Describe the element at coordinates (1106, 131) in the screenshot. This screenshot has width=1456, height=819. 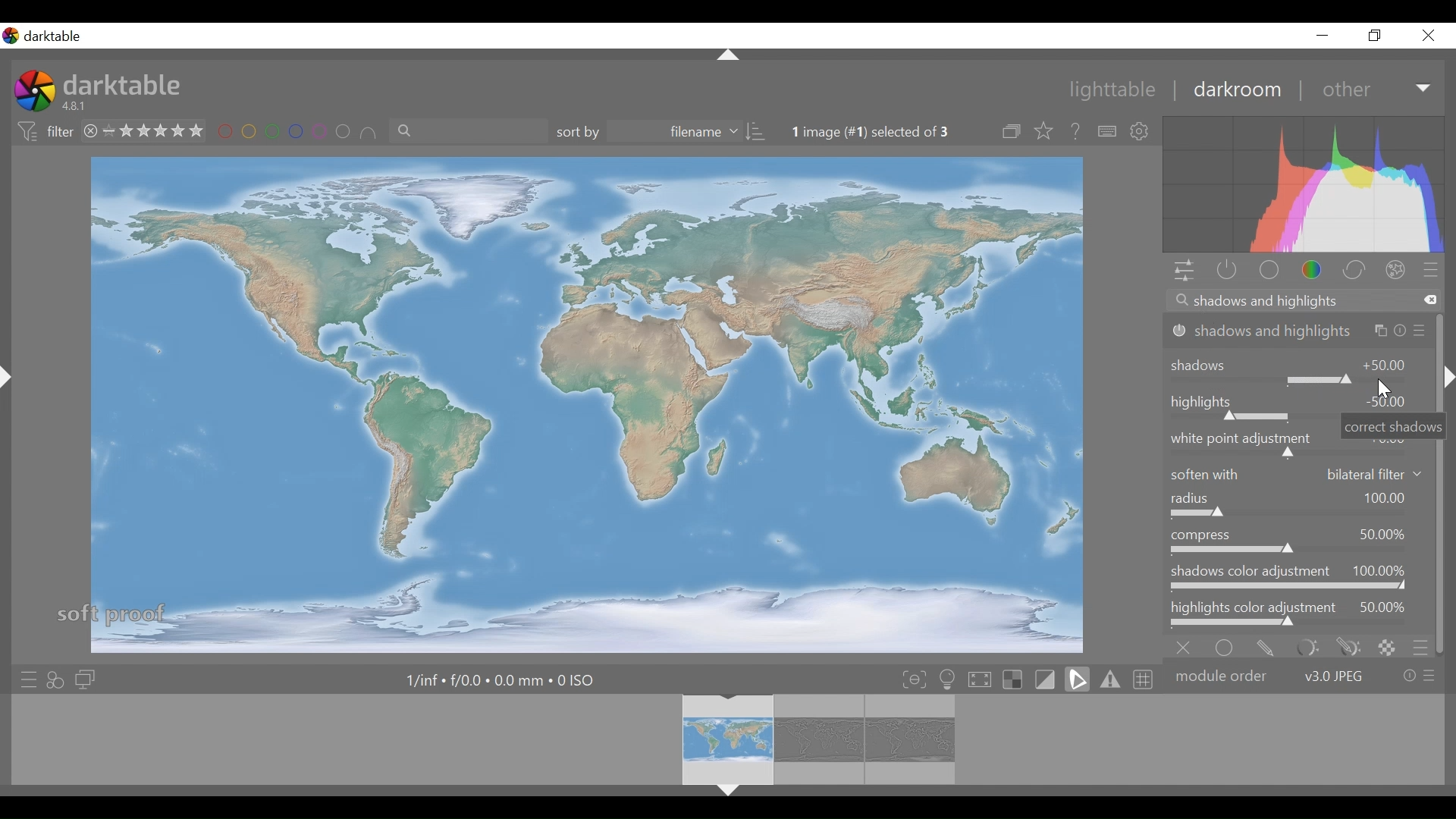
I see `define shortcut` at that location.